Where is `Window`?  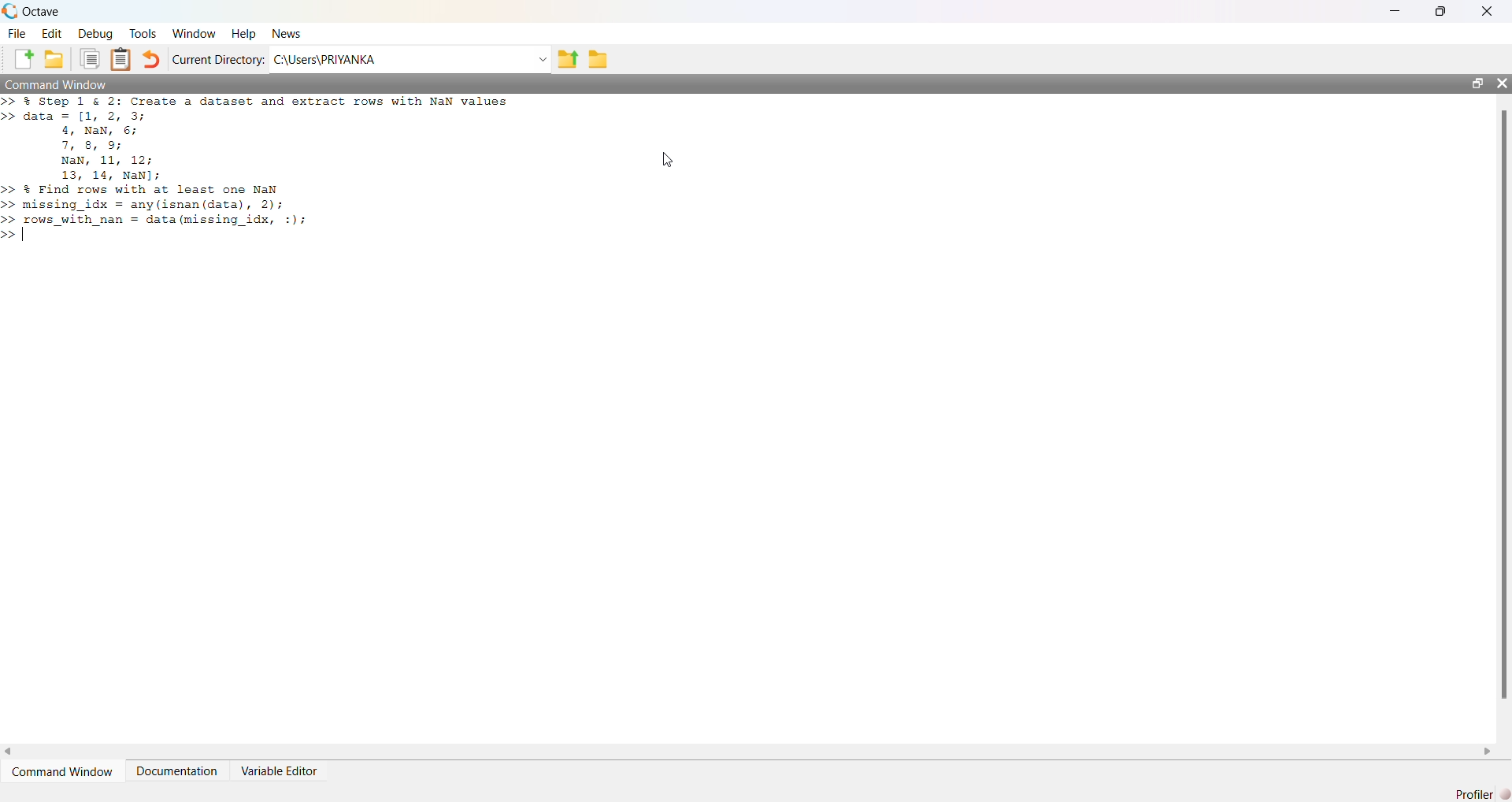 Window is located at coordinates (195, 34).